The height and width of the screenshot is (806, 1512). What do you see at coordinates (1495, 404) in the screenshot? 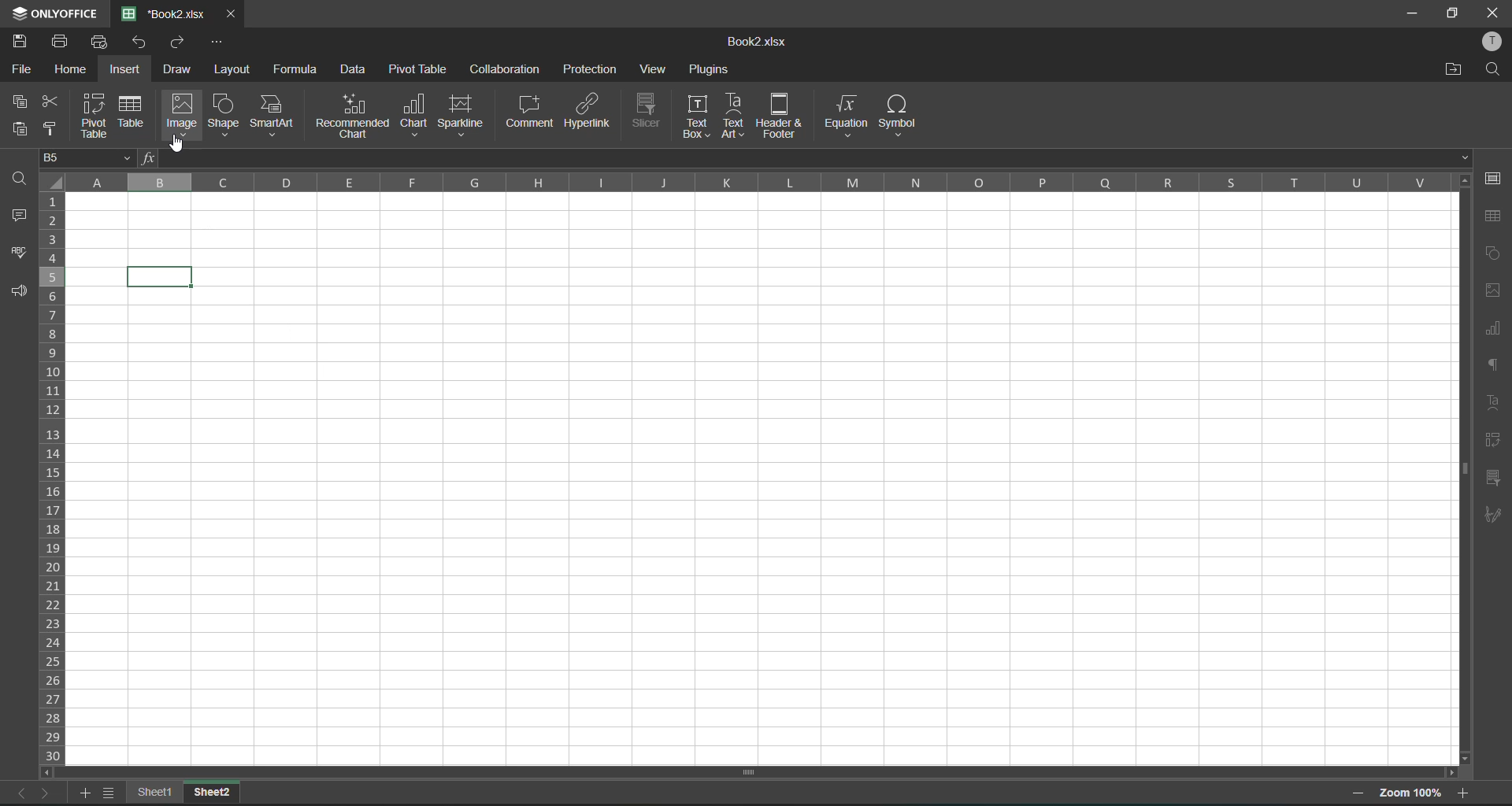
I see `text` at bounding box center [1495, 404].